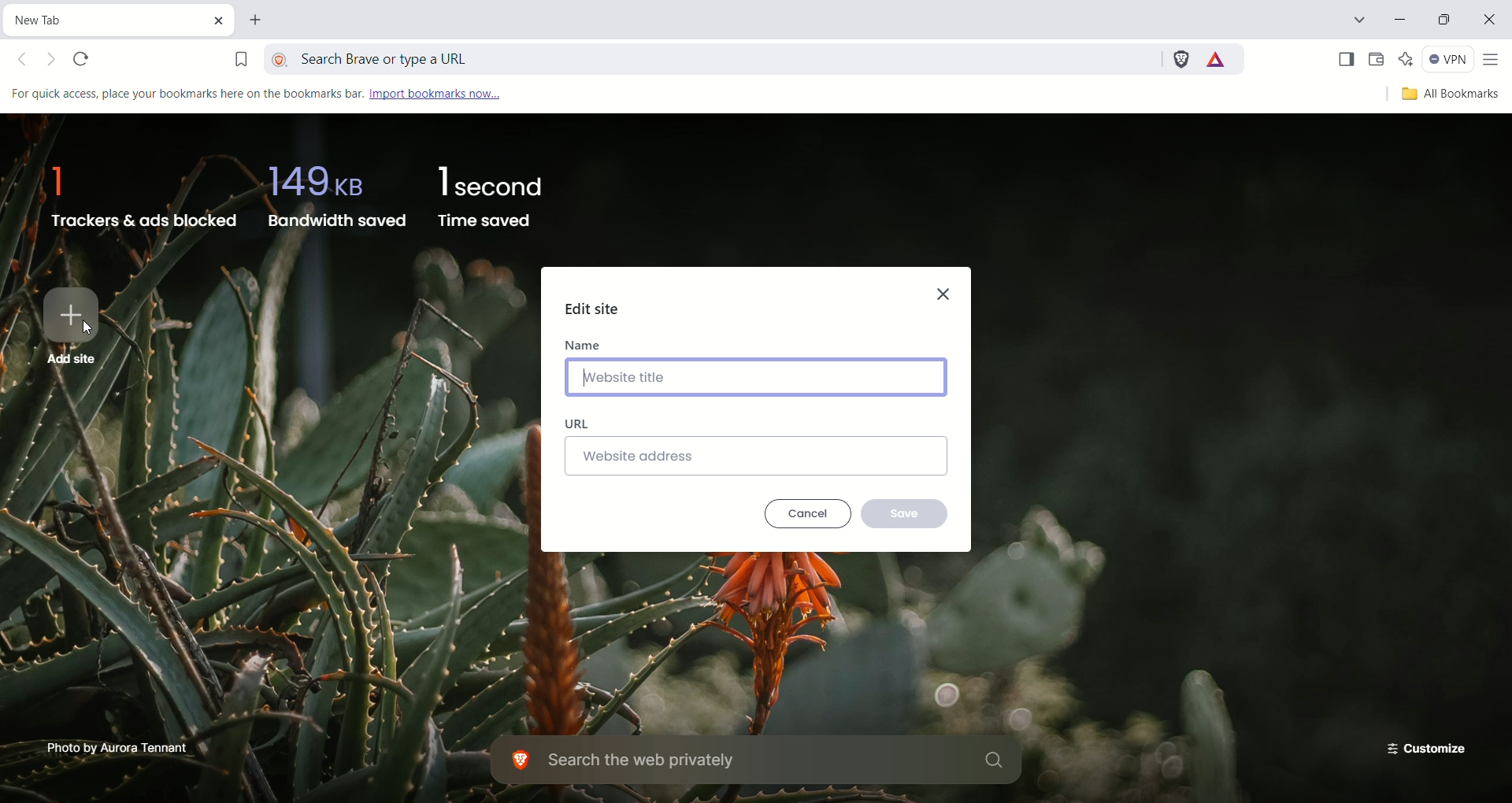 This screenshot has height=803, width=1512. Describe the element at coordinates (258, 22) in the screenshot. I see `new tab` at that location.